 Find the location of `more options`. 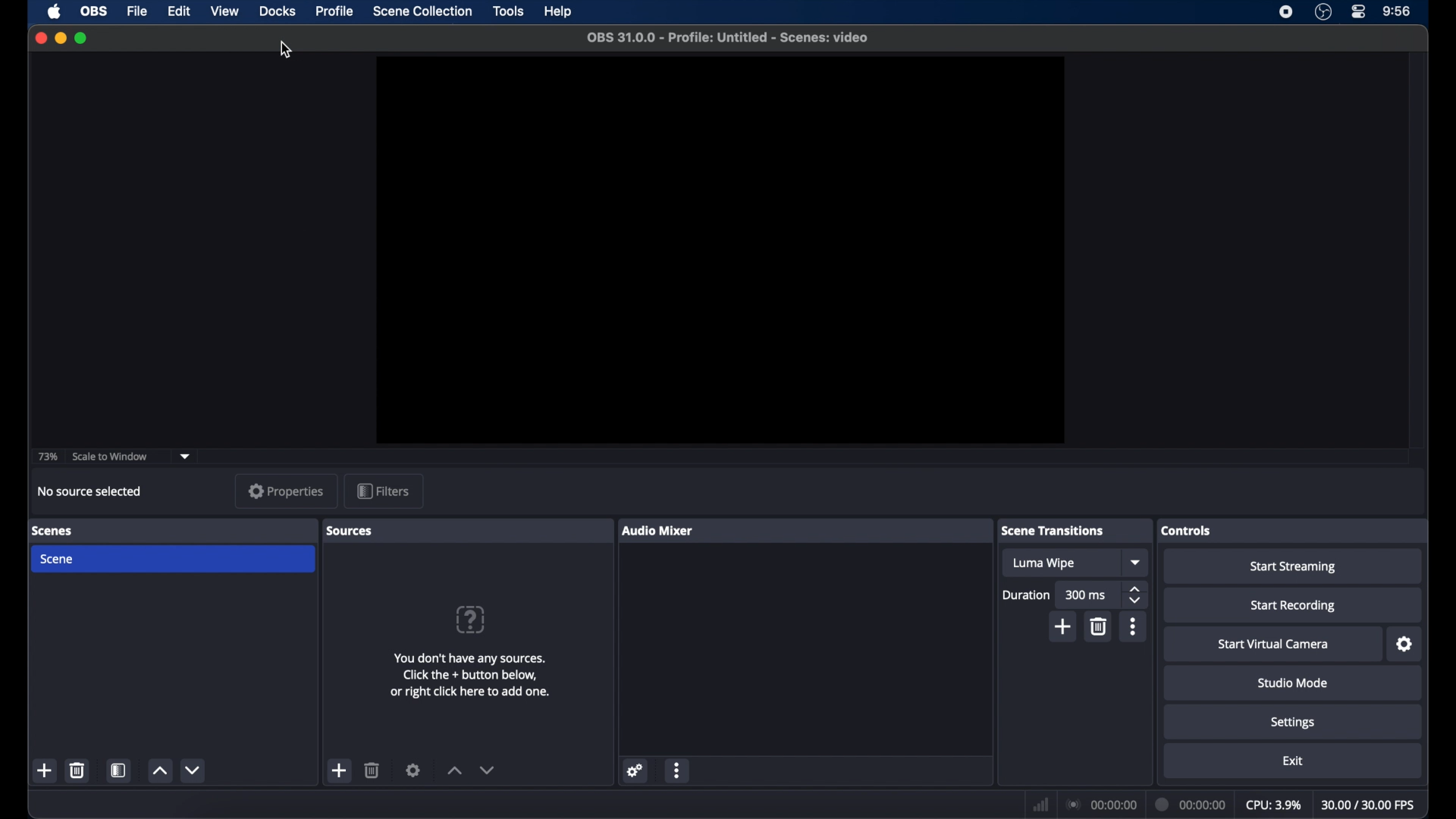

more options is located at coordinates (677, 770).